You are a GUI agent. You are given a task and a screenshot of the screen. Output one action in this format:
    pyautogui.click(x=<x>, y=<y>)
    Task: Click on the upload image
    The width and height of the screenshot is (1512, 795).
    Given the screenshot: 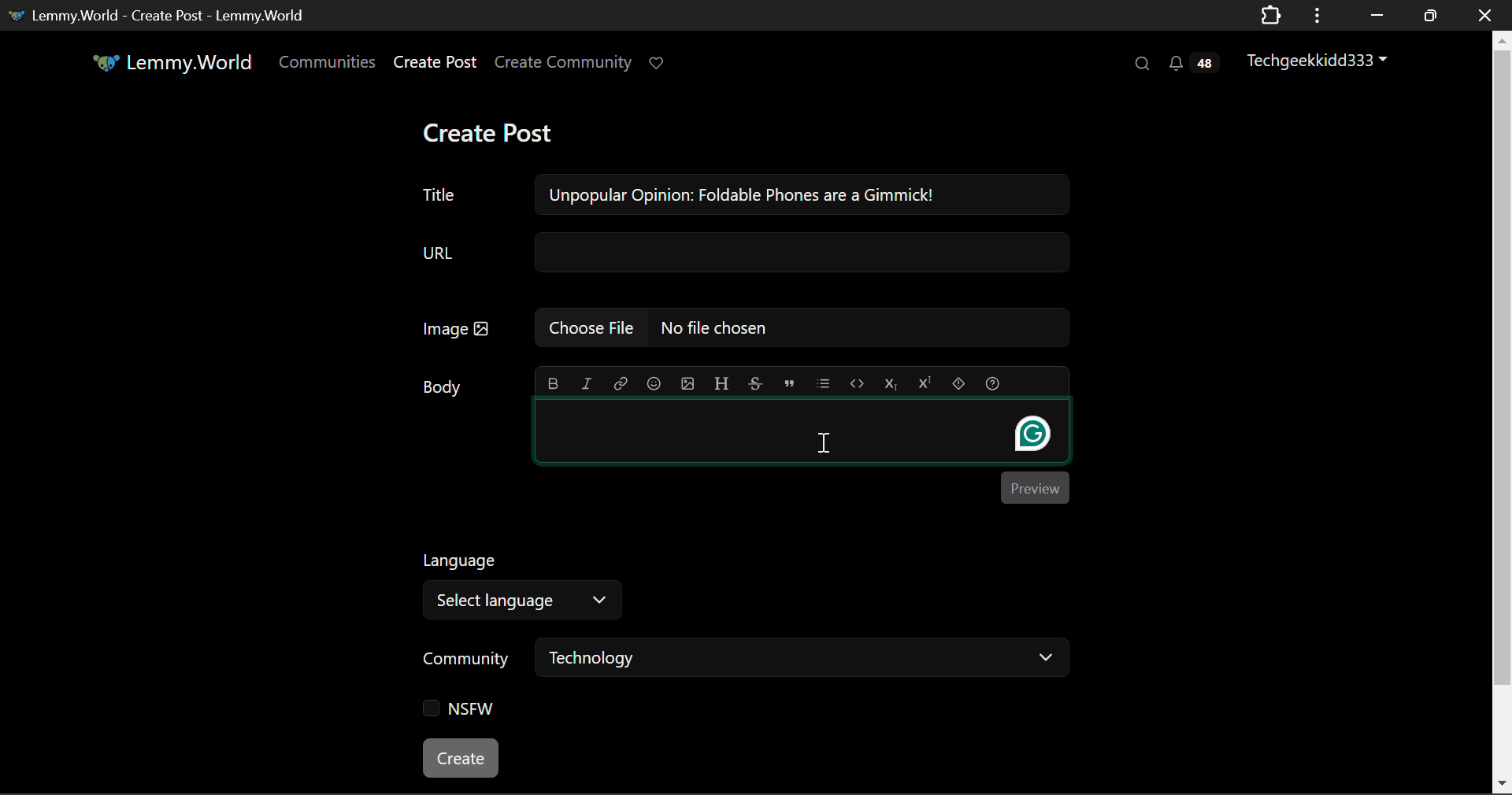 What is the action you would take?
    pyautogui.click(x=687, y=382)
    